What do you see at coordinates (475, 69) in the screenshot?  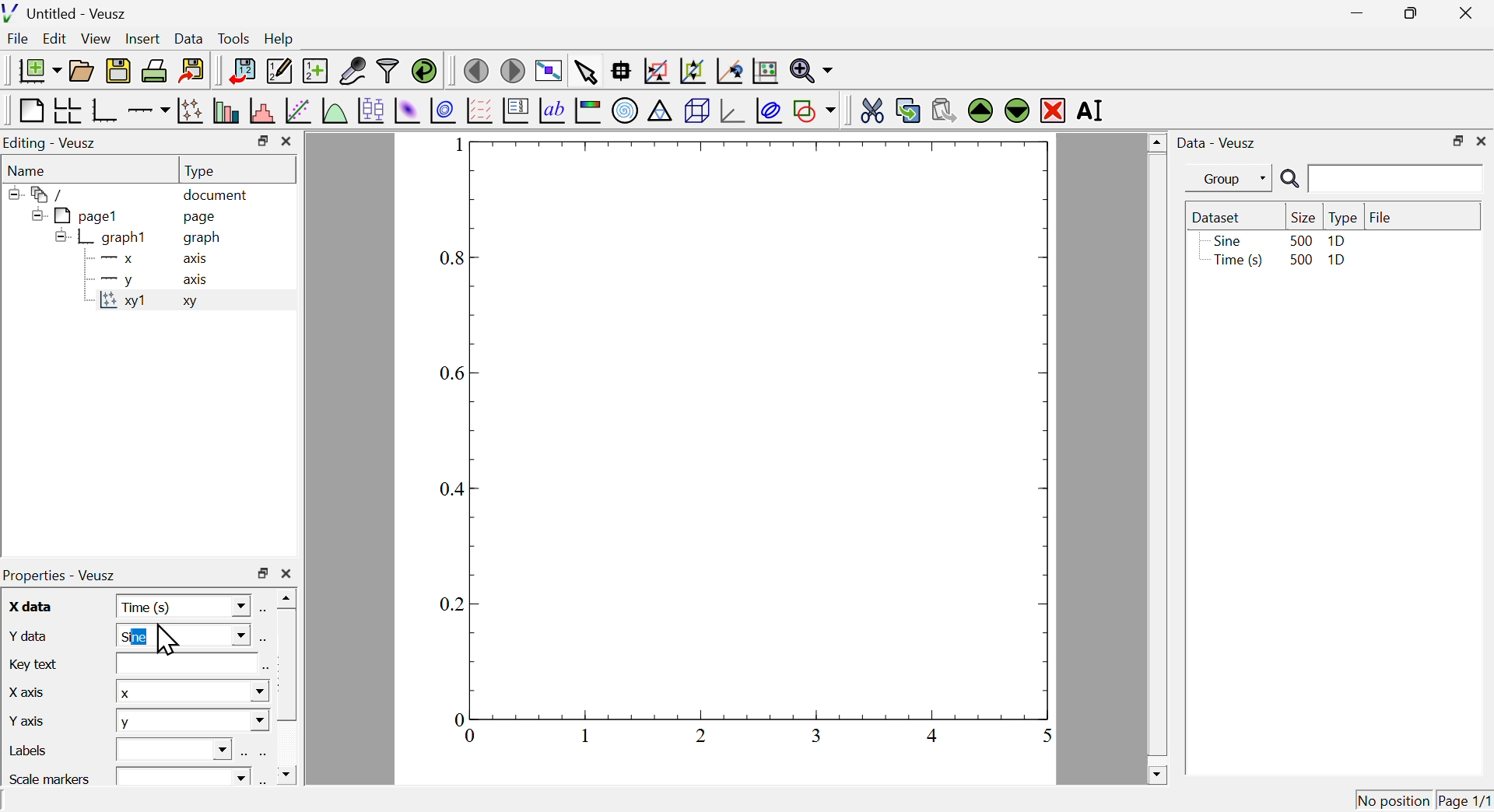 I see `move to the previous page` at bounding box center [475, 69].